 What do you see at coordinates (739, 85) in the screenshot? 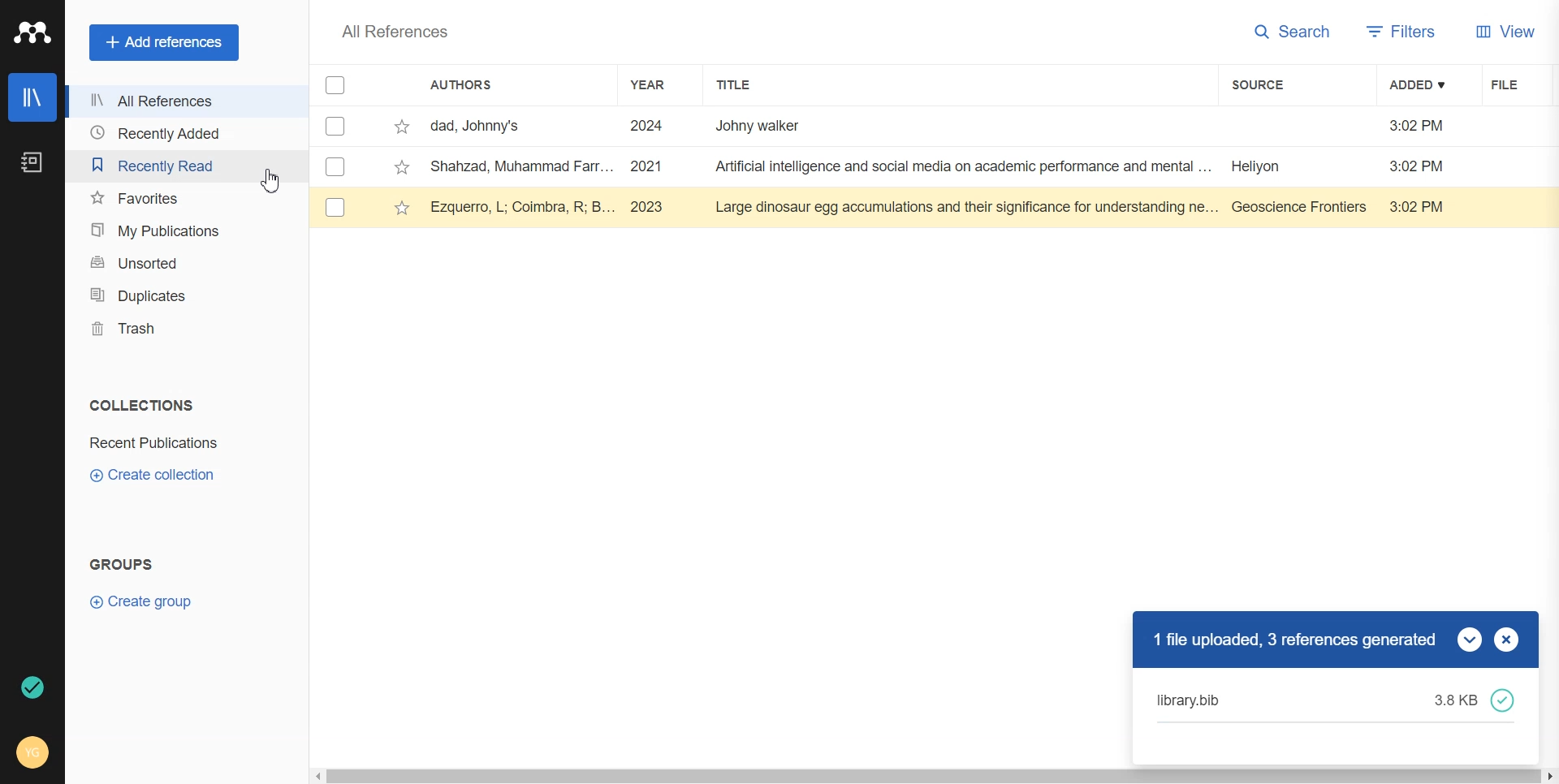
I see `Title` at bounding box center [739, 85].